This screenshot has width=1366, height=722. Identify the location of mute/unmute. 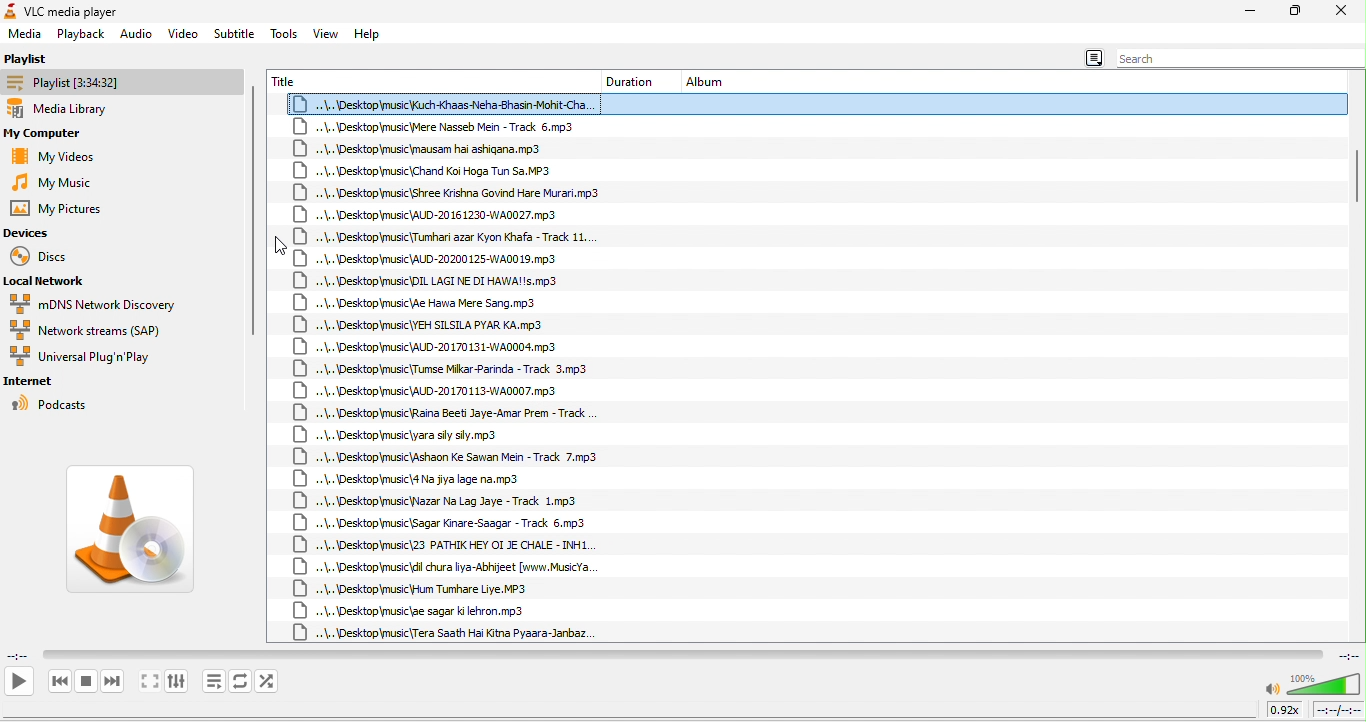
(1272, 690).